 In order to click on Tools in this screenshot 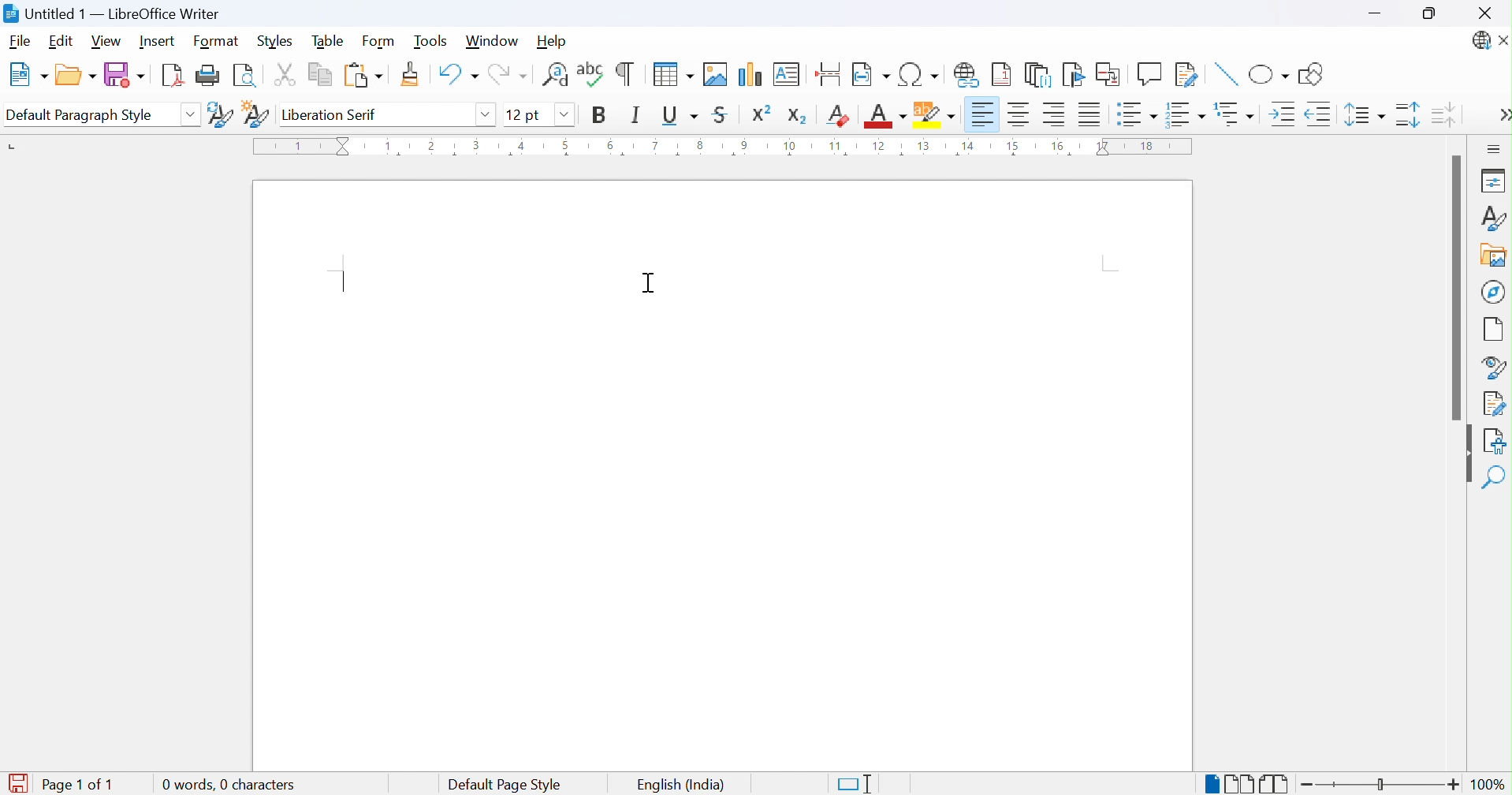, I will do `click(429, 41)`.